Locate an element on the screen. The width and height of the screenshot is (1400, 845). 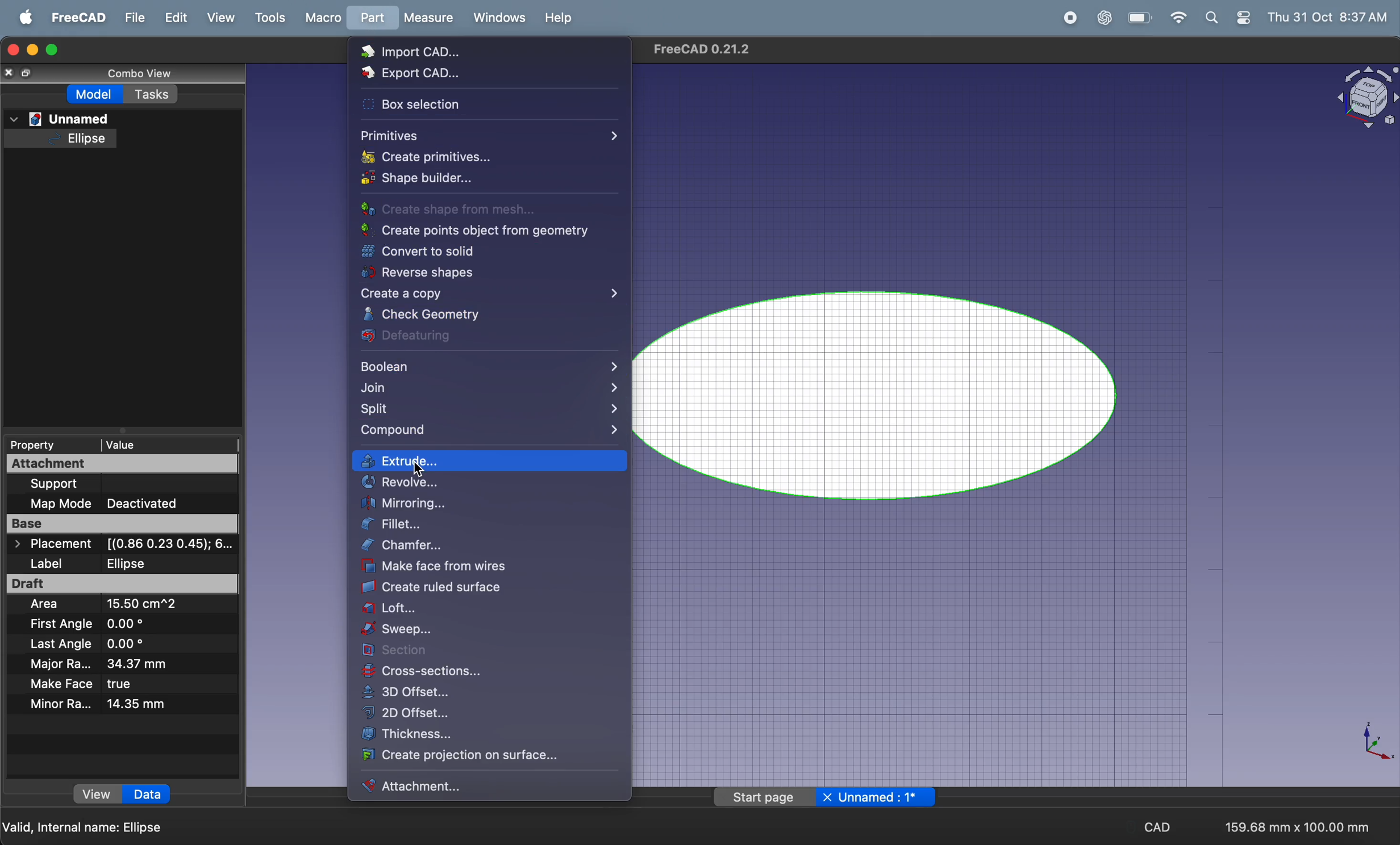
reverse shapes is located at coordinates (489, 272).